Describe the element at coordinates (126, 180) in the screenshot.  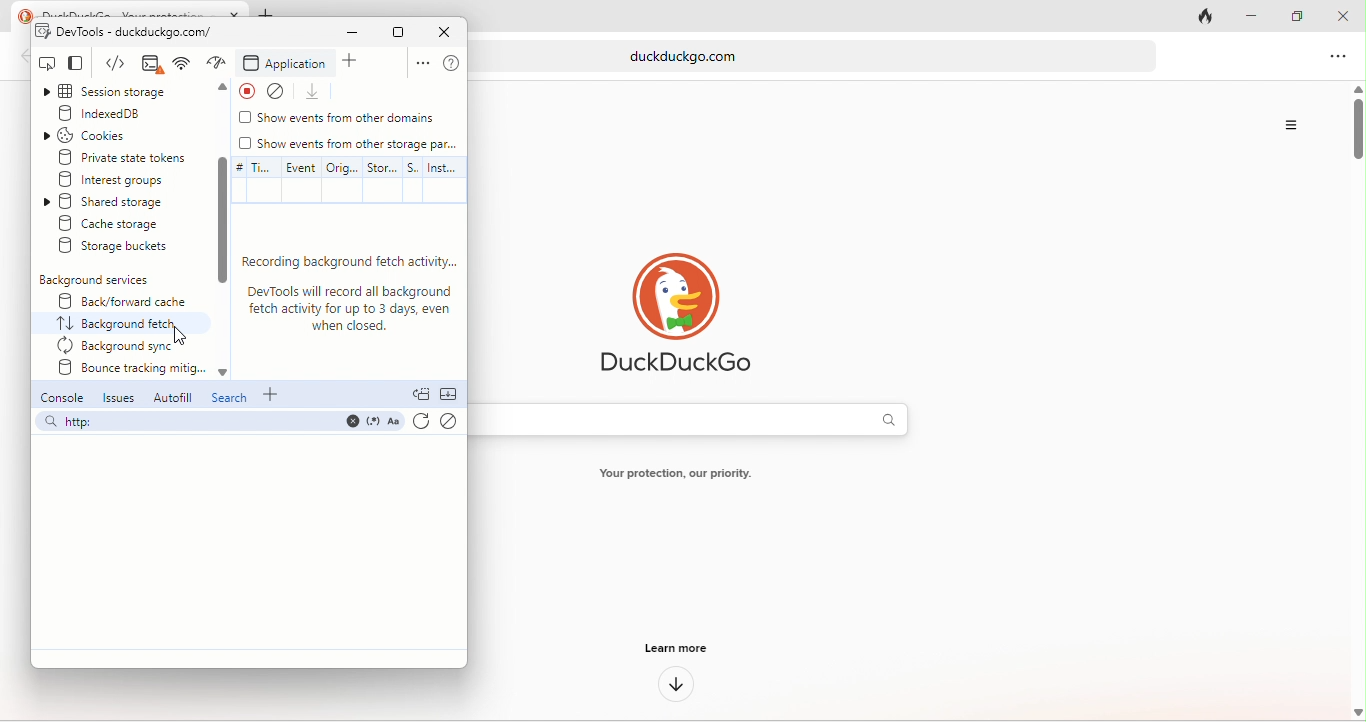
I see `interest groups` at that location.